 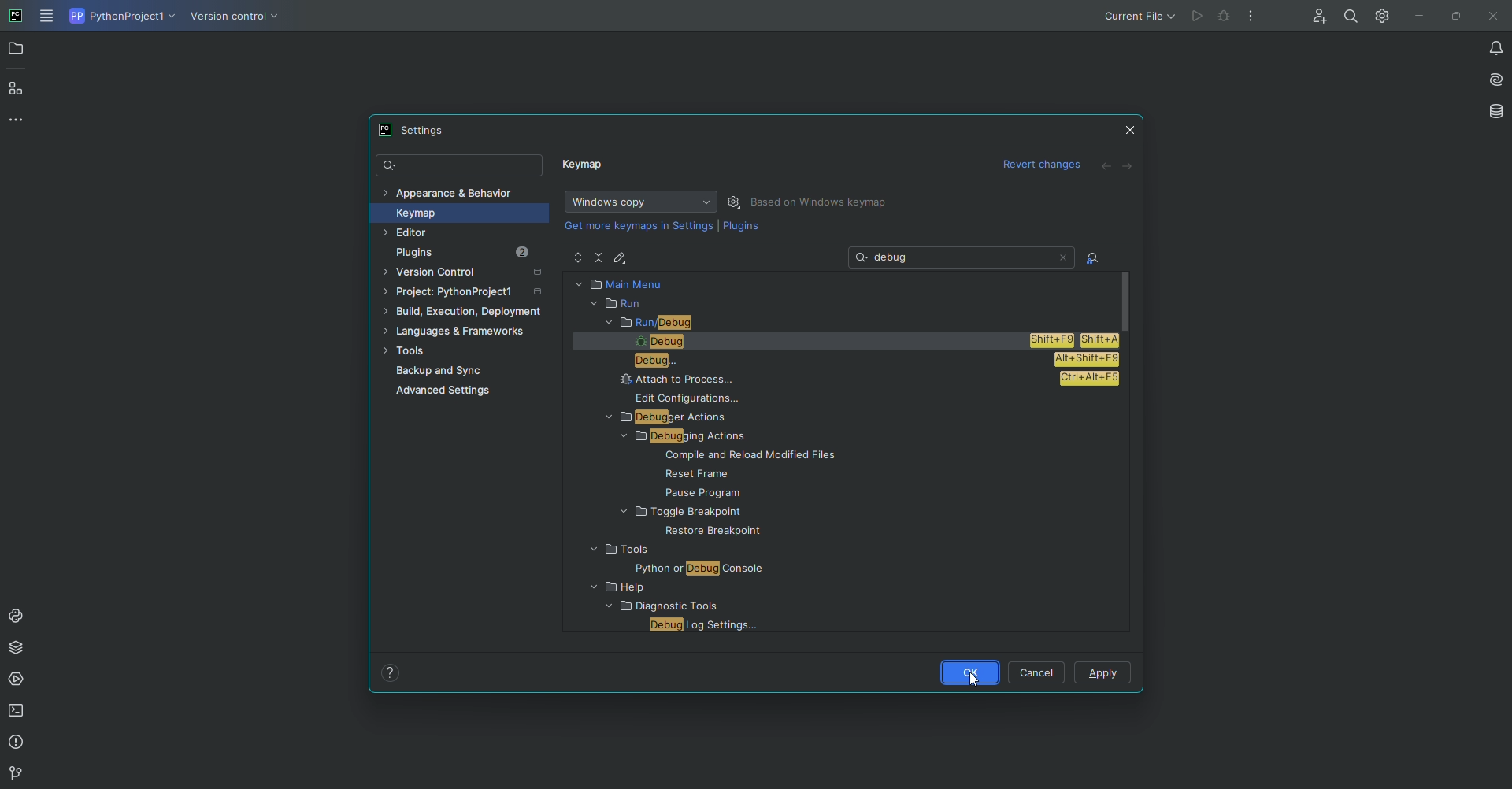 I want to click on FILE NAME, so click(x=672, y=569).